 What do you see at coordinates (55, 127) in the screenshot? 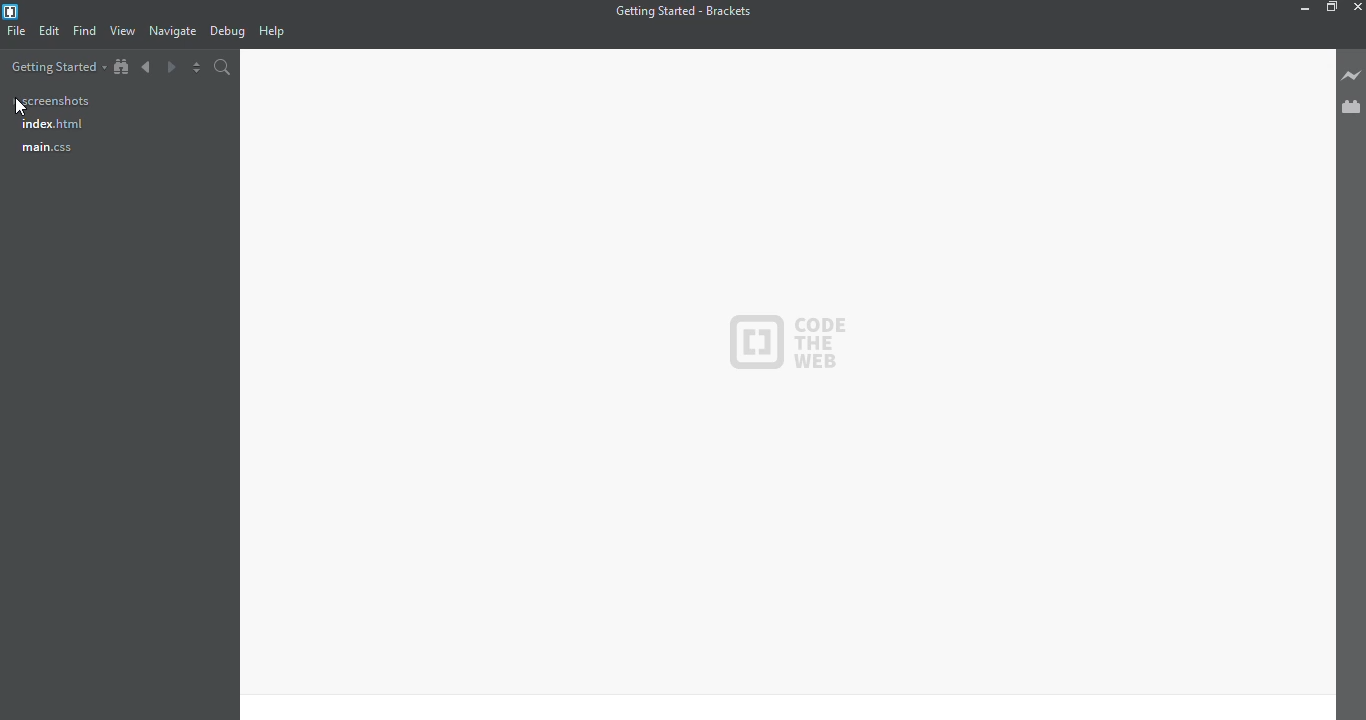
I see `index.html` at bounding box center [55, 127].